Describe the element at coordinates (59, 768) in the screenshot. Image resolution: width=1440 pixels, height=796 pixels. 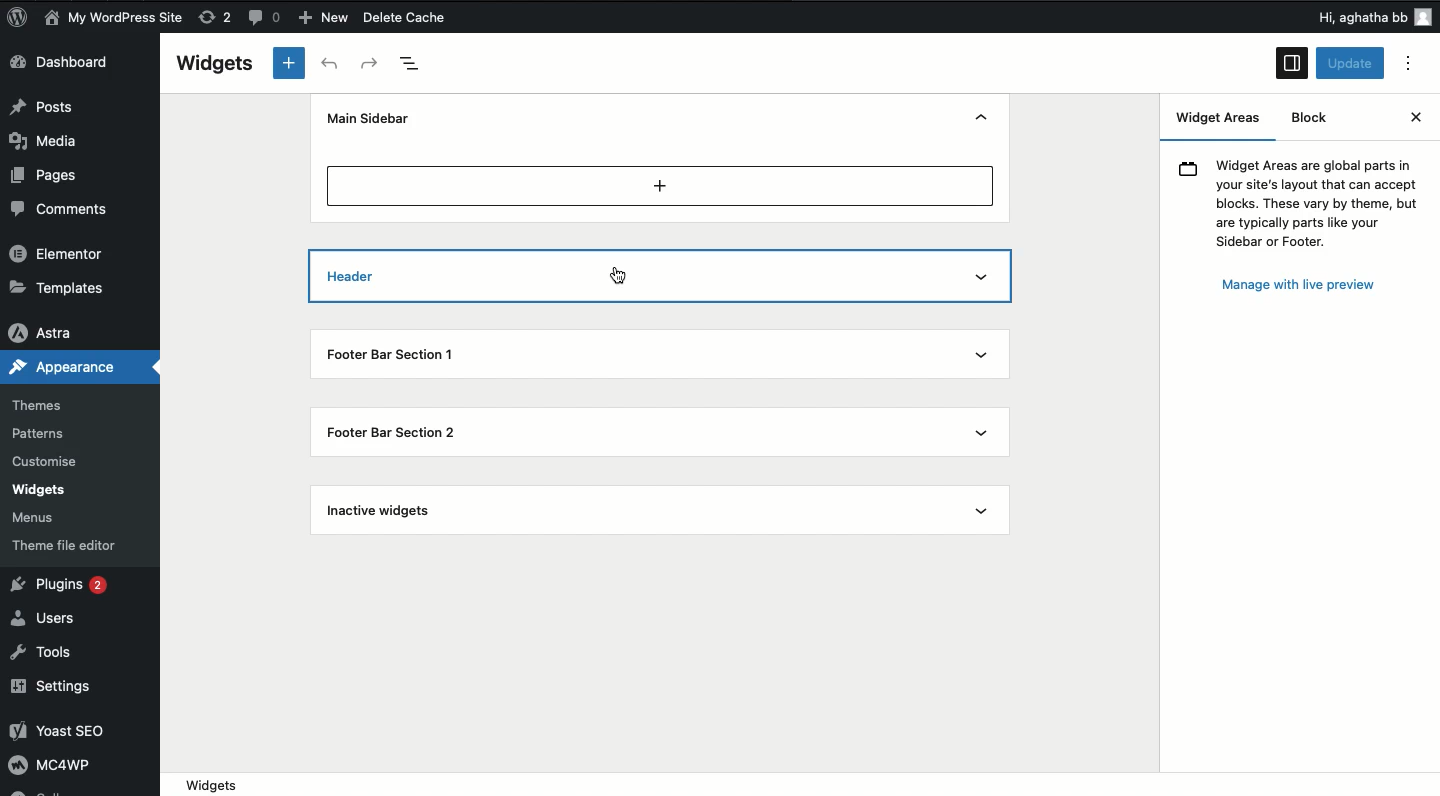
I see `MC4WP` at that location.